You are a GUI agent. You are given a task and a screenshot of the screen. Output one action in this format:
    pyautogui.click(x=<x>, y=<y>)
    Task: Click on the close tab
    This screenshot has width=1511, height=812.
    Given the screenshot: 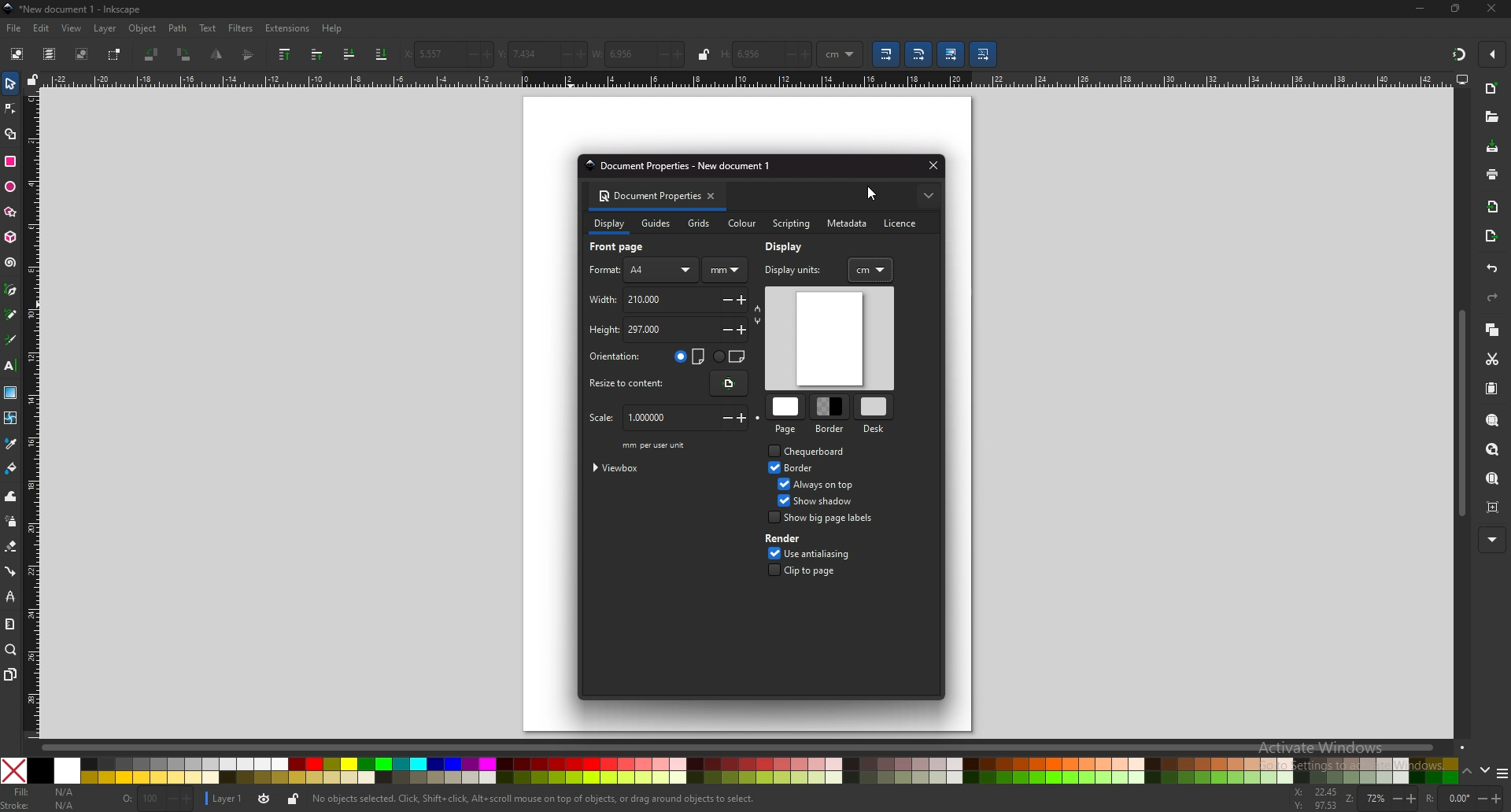 What is the action you would take?
    pyautogui.click(x=715, y=196)
    